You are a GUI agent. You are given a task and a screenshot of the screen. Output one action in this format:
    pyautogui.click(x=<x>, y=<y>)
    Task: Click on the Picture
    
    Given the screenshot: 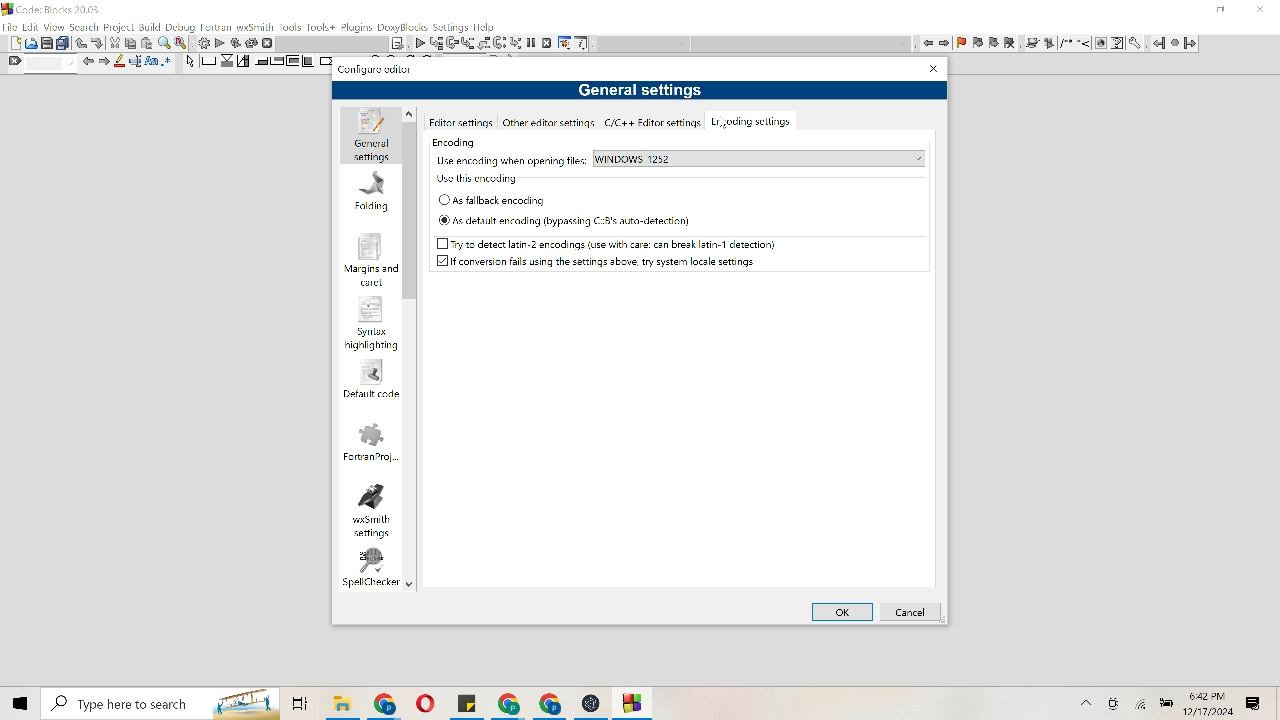 What is the action you would take?
    pyautogui.click(x=31, y=42)
    